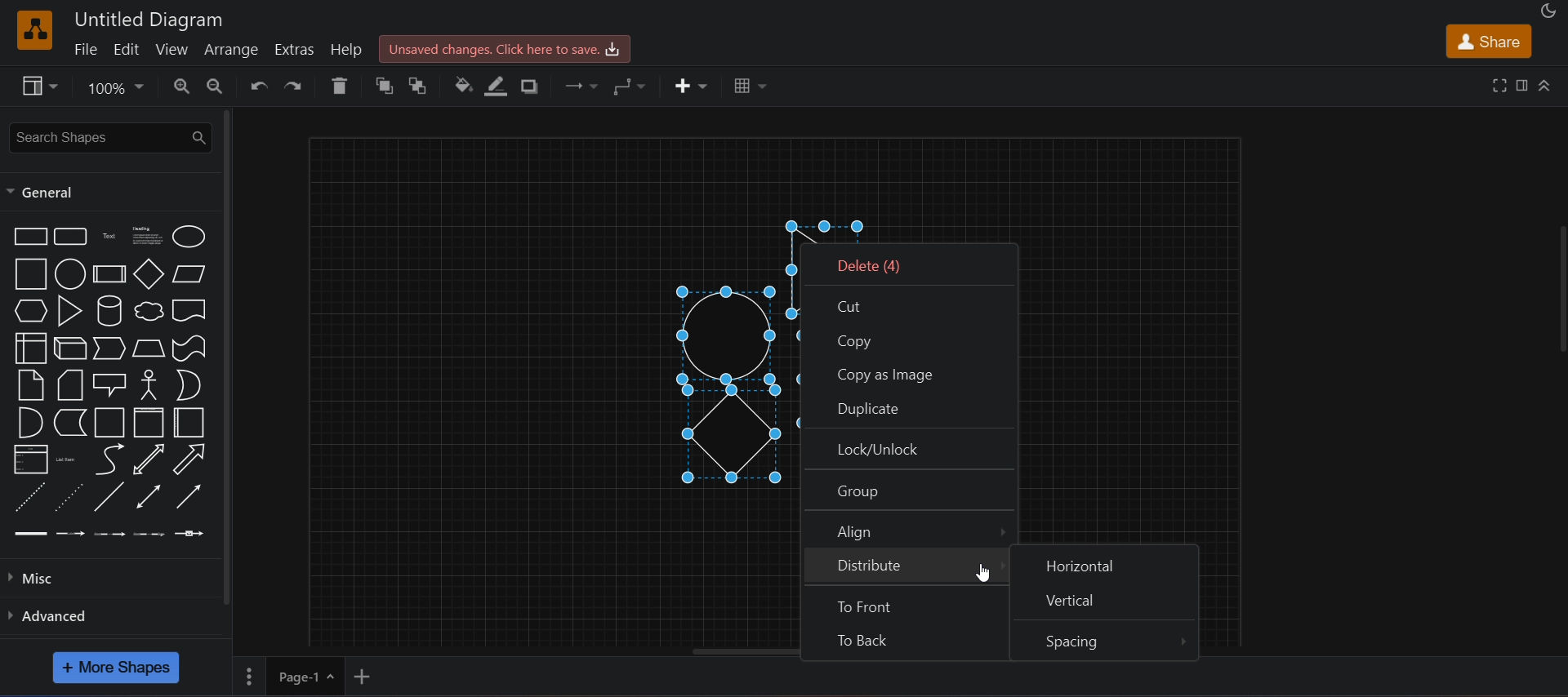 The width and height of the screenshot is (1568, 697). I want to click on heading, so click(146, 238).